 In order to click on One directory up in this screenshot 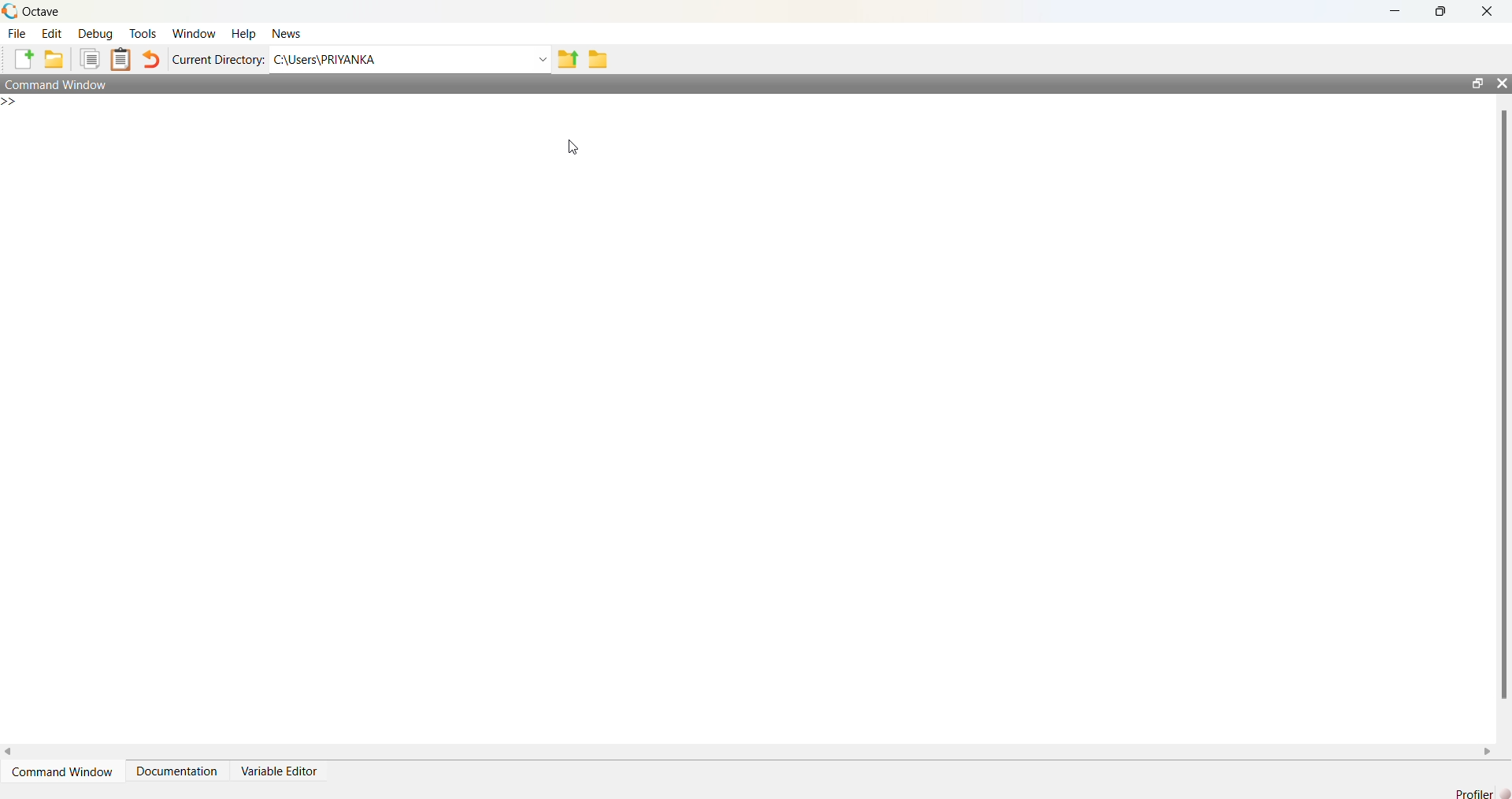, I will do `click(567, 59)`.